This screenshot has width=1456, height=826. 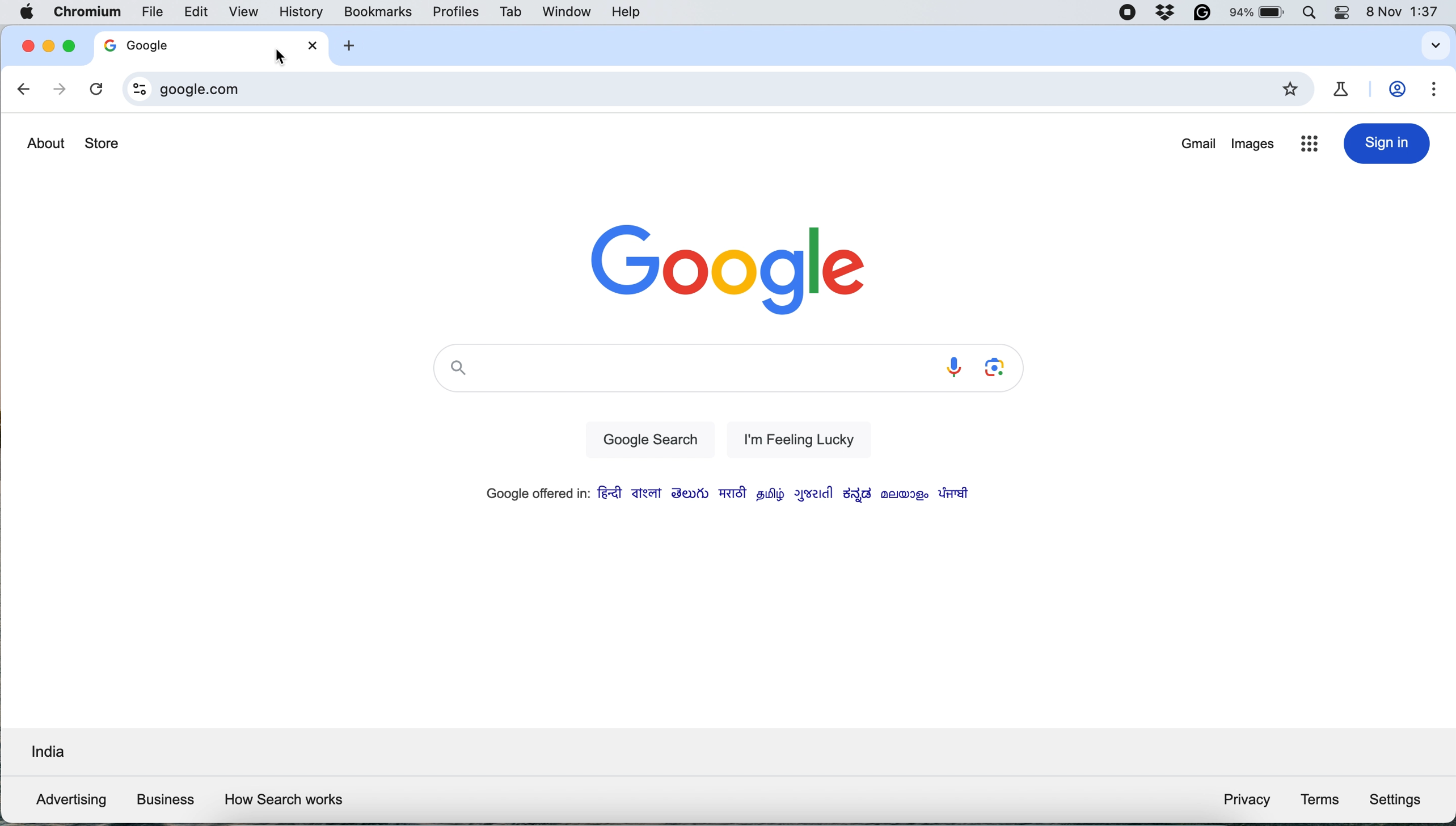 I want to click on chrome labs, so click(x=1345, y=88).